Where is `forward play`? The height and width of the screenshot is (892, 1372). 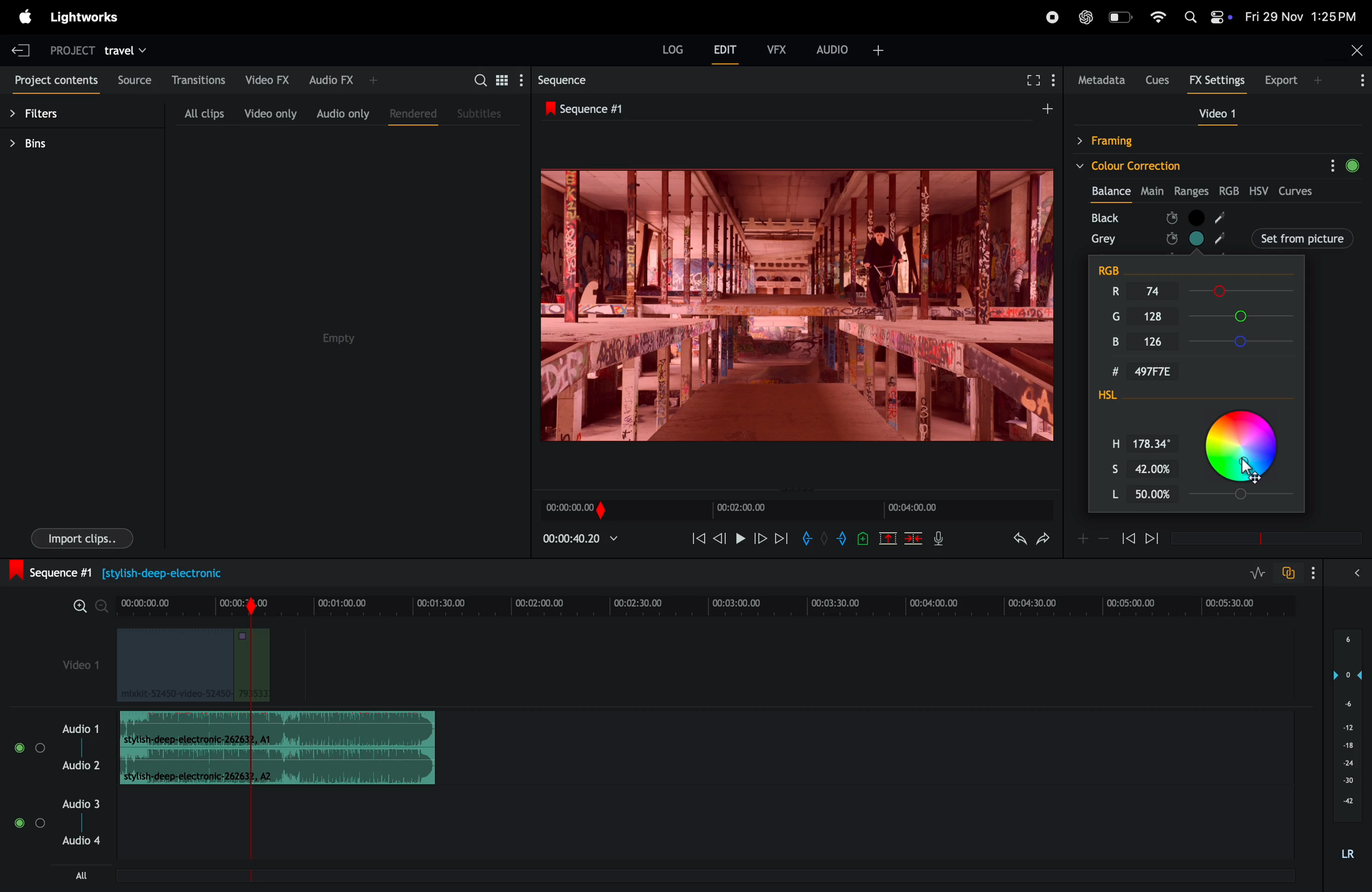
forward play is located at coordinates (782, 541).